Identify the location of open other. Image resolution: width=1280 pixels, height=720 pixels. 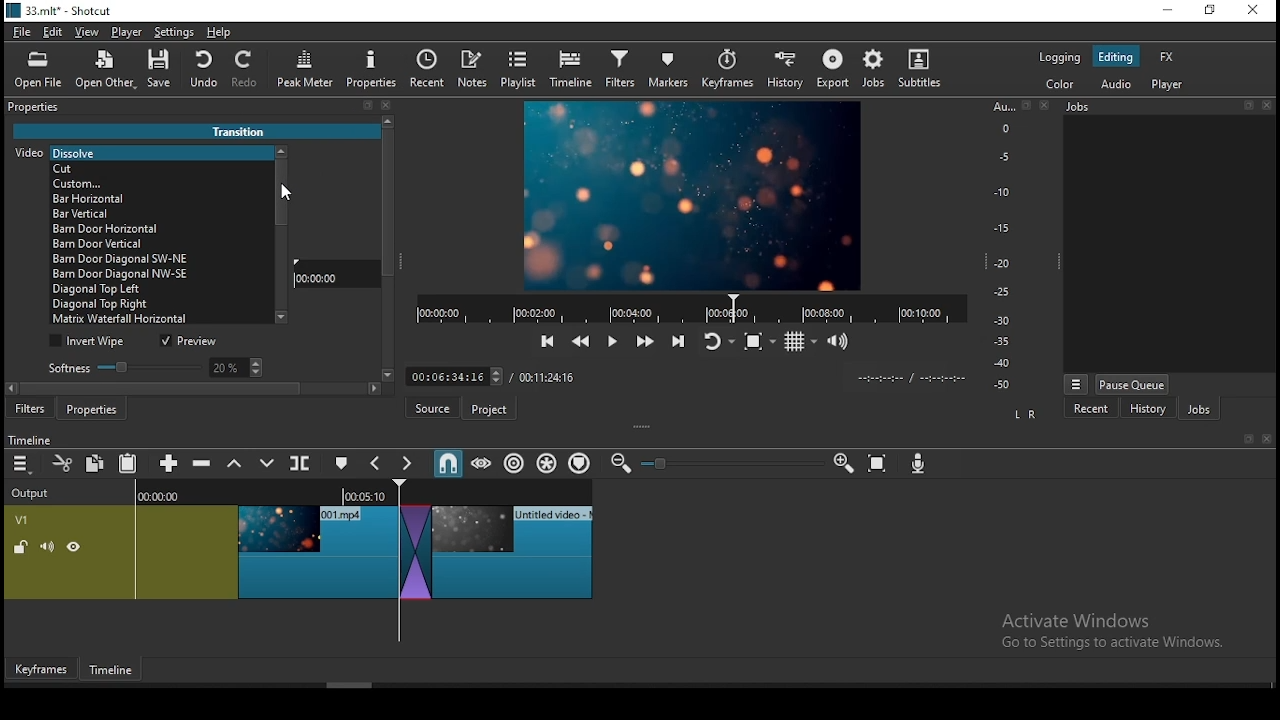
(107, 74).